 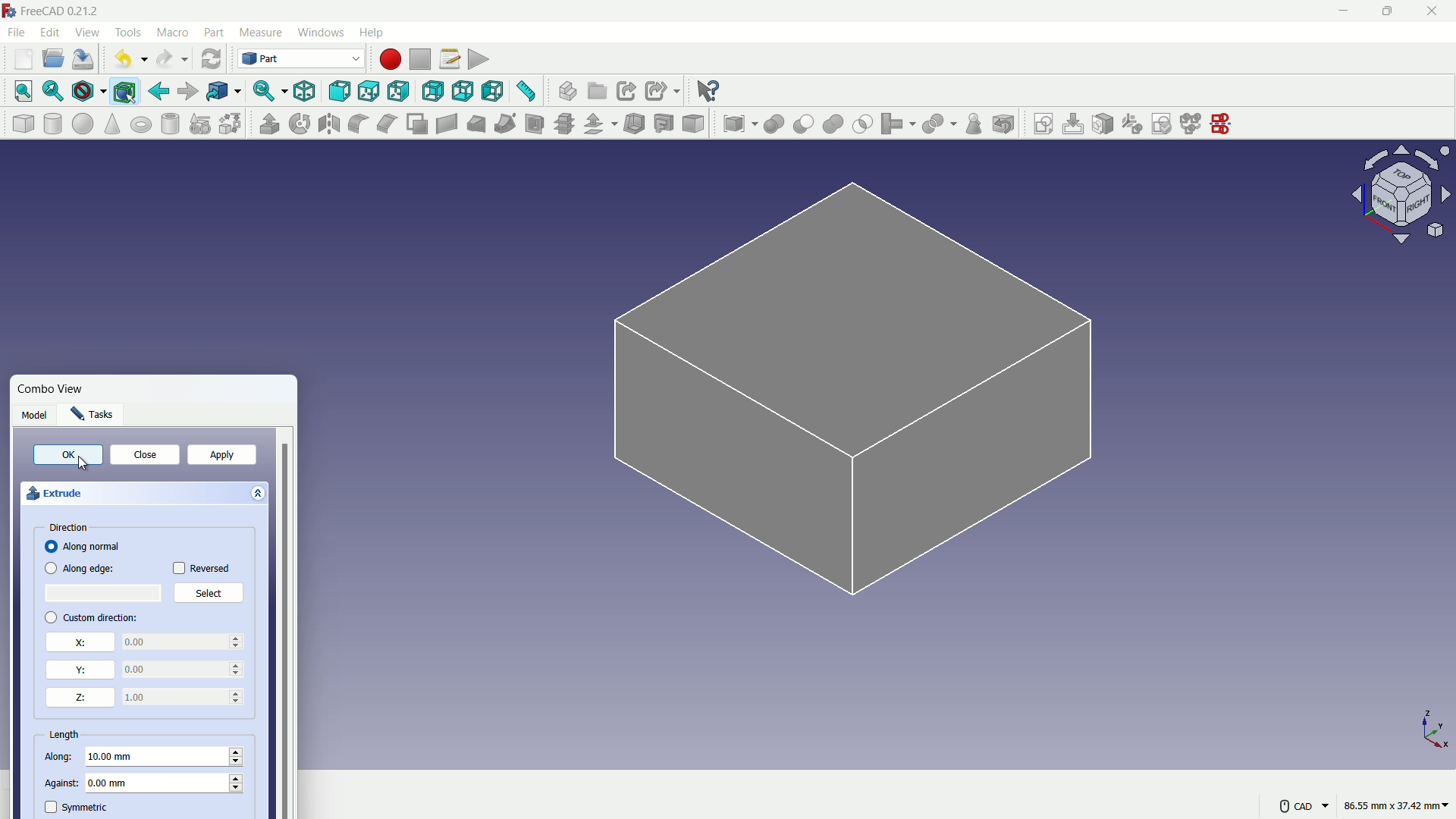 I want to click on create primitive, so click(x=201, y=124).